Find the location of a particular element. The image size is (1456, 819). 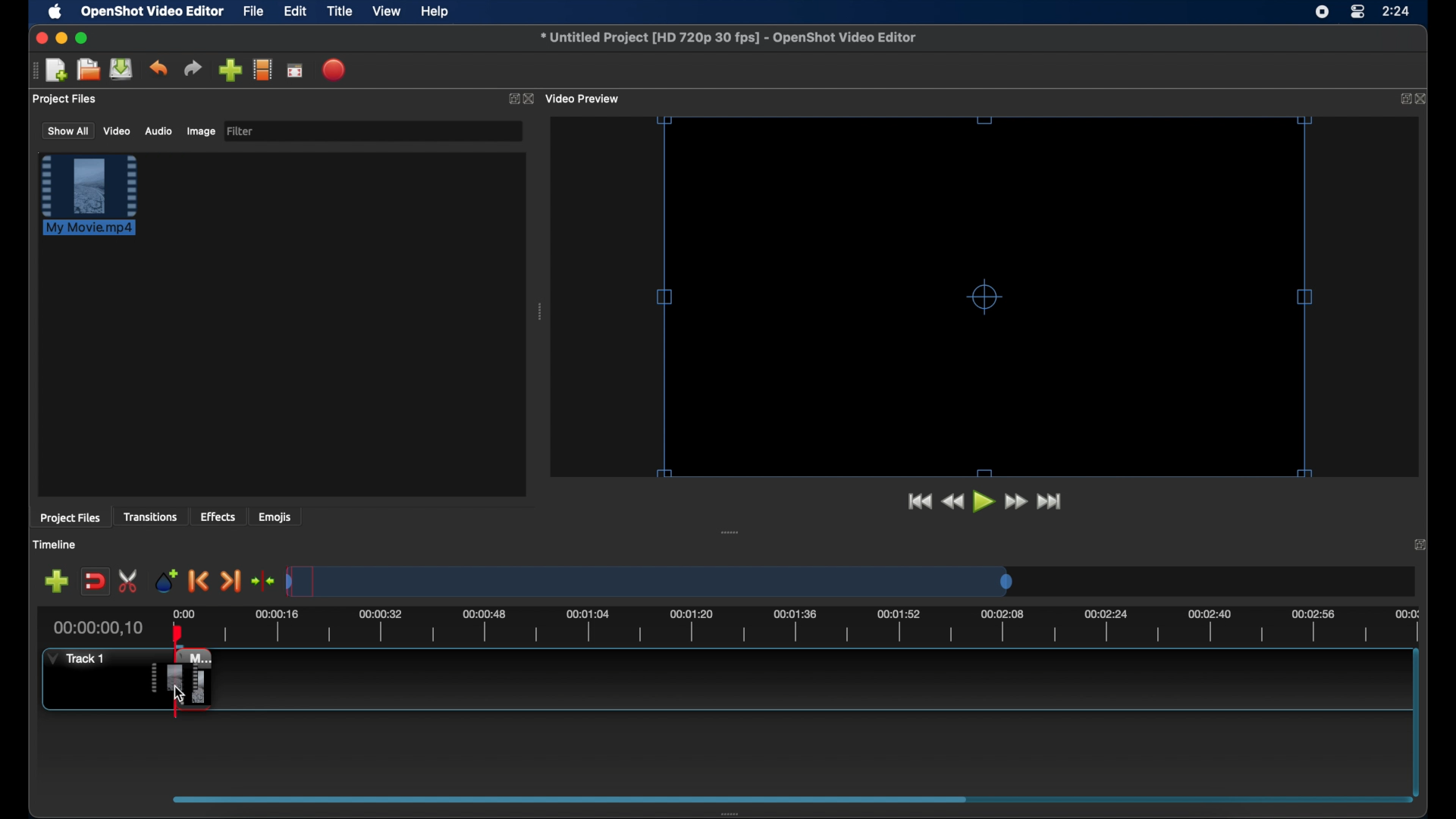

import files is located at coordinates (229, 70).